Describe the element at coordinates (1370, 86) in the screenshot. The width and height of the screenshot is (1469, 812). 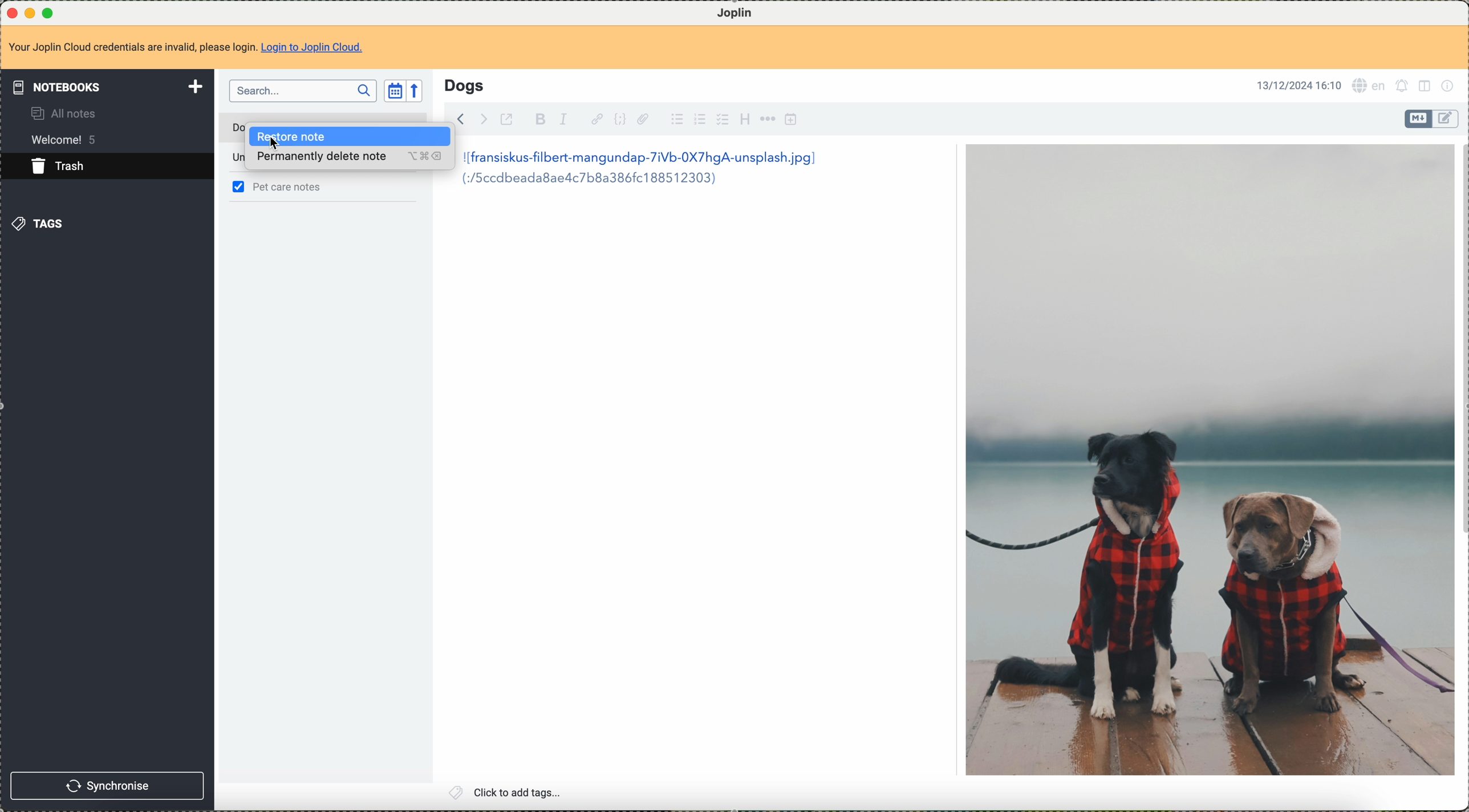
I see `language` at that location.